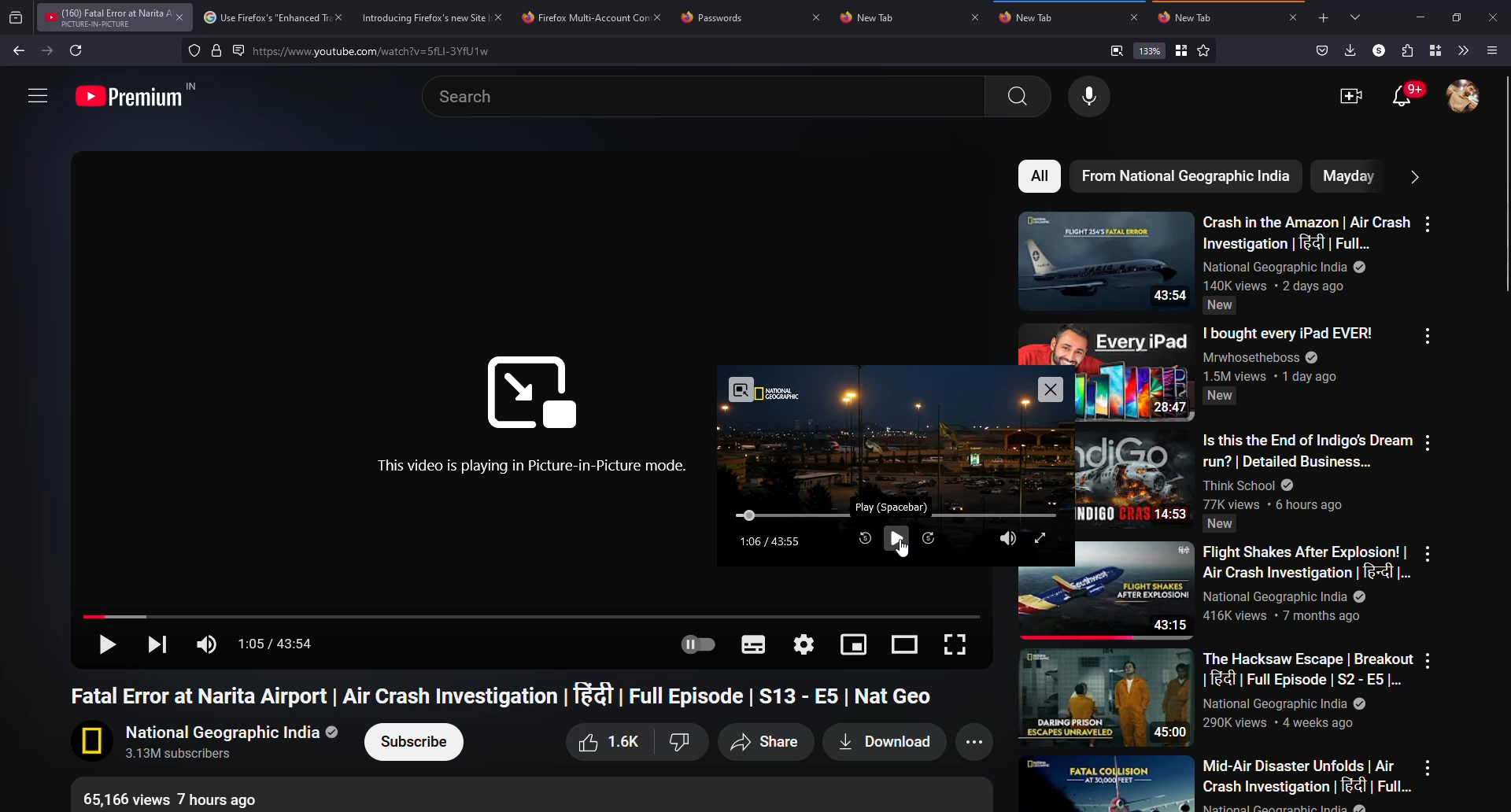 The width and height of the screenshot is (1511, 812). What do you see at coordinates (978, 743) in the screenshot?
I see `more` at bounding box center [978, 743].